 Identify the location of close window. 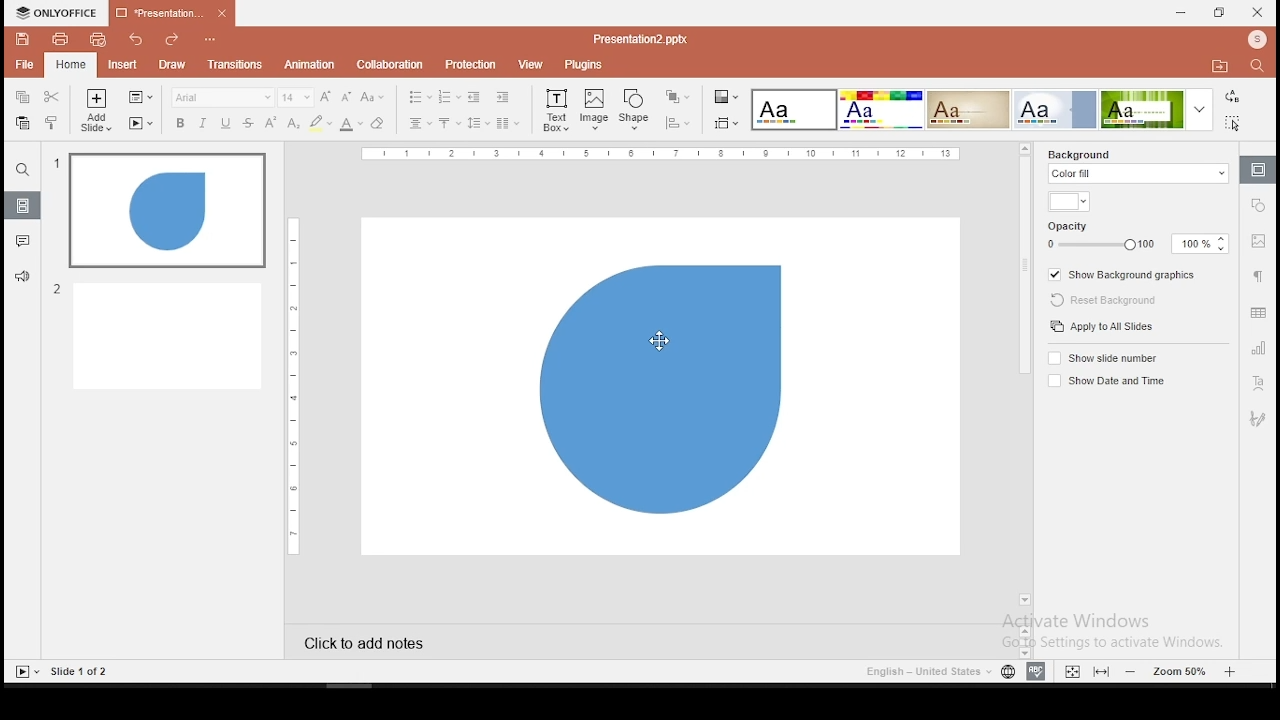
(1258, 12).